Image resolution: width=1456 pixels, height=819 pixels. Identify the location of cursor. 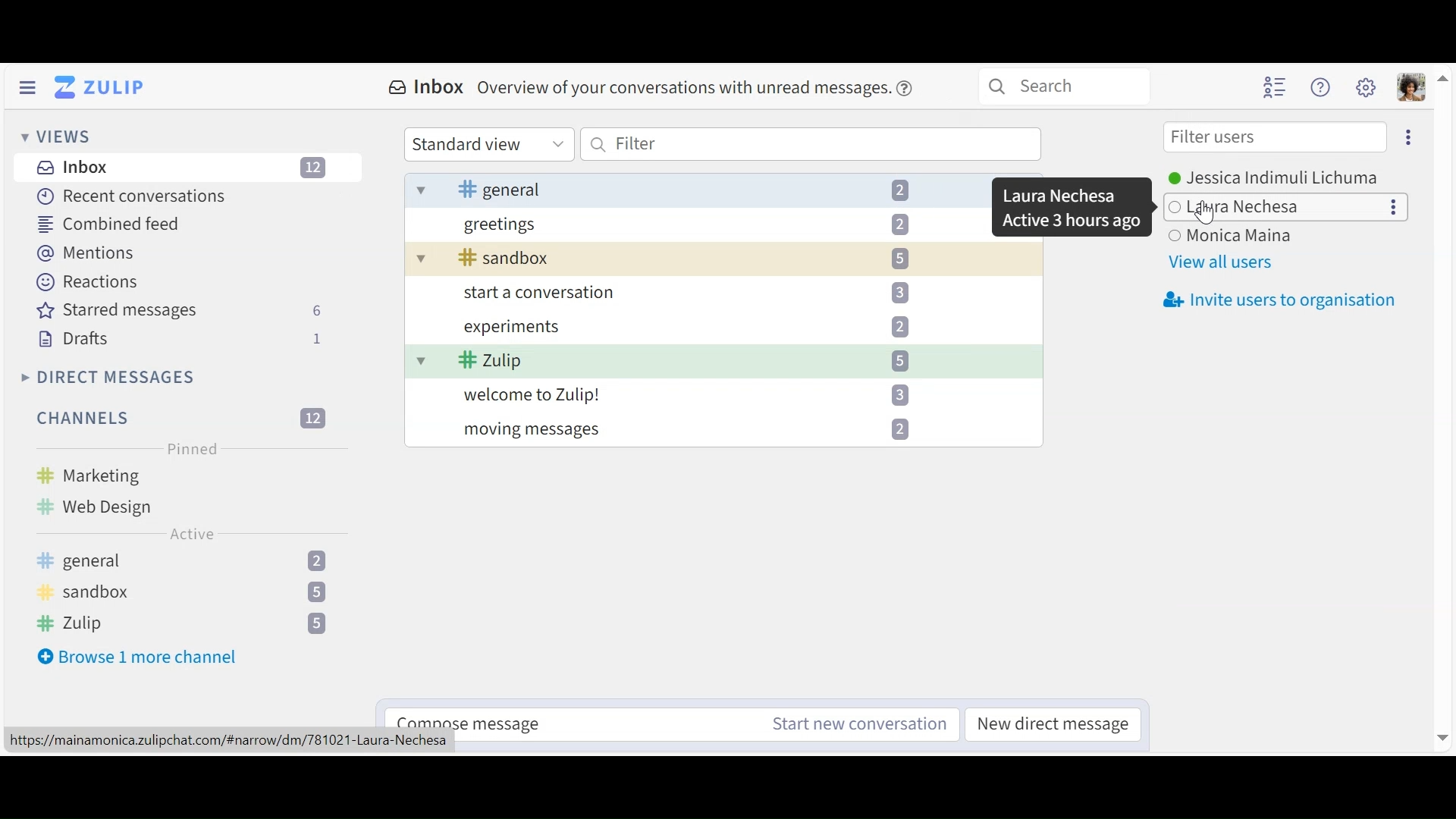
(1213, 217).